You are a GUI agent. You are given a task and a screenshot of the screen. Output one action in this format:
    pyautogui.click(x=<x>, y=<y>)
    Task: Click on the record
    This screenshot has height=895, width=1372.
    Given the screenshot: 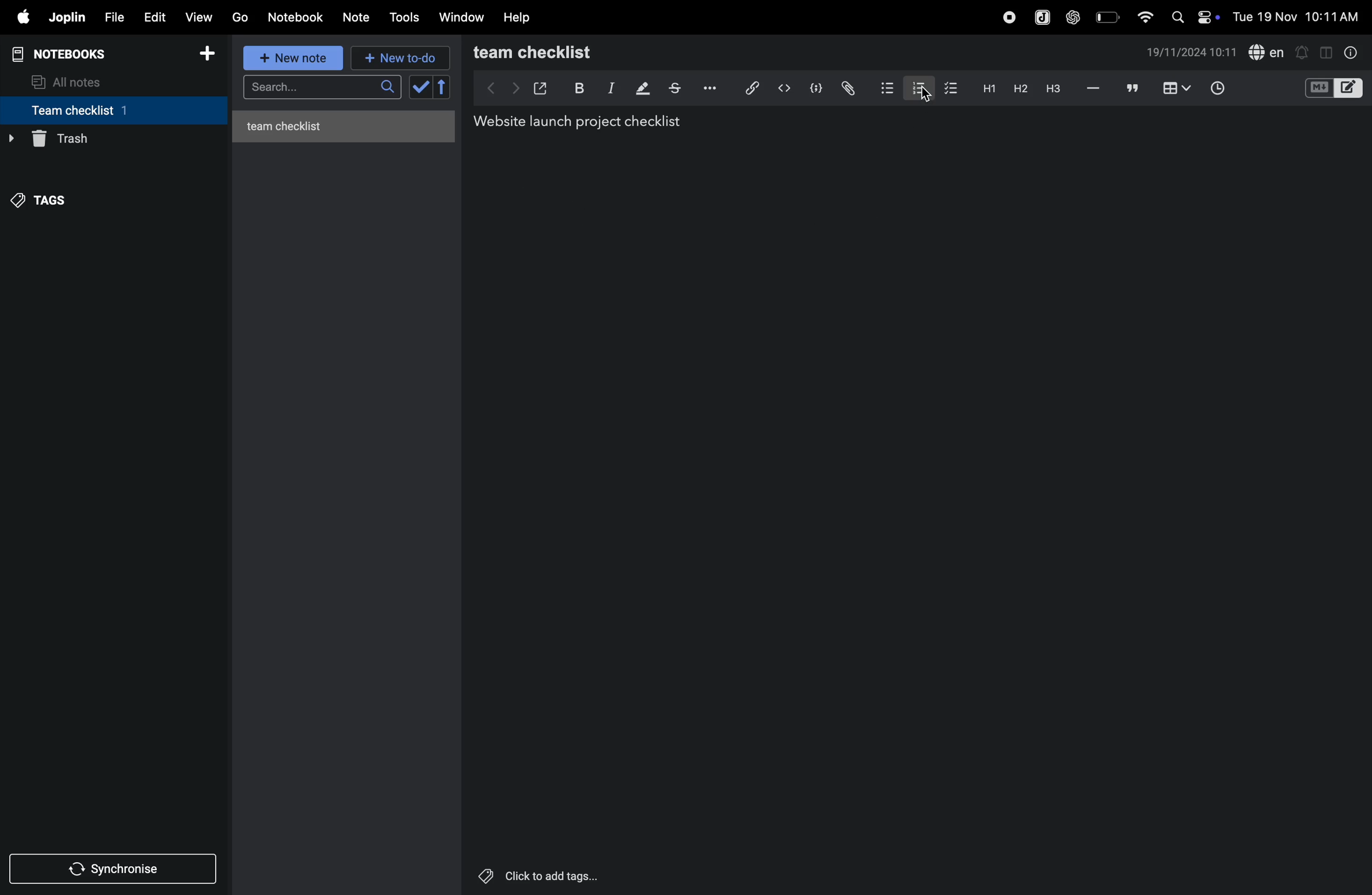 What is the action you would take?
    pyautogui.click(x=1005, y=17)
    